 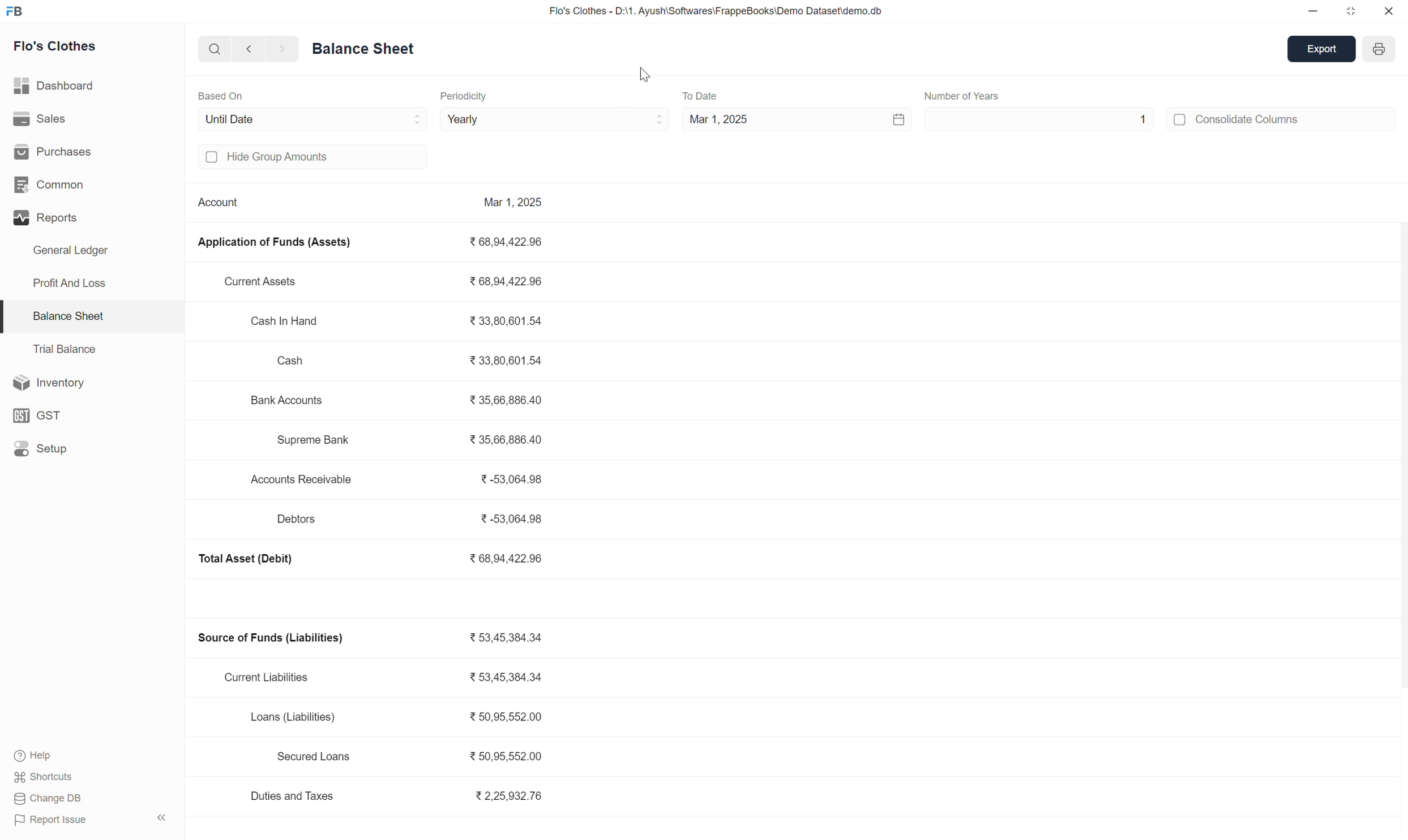 What do you see at coordinates (1386, 11) in the screenshot?
I see `close` at bounding box center [1386, 11].